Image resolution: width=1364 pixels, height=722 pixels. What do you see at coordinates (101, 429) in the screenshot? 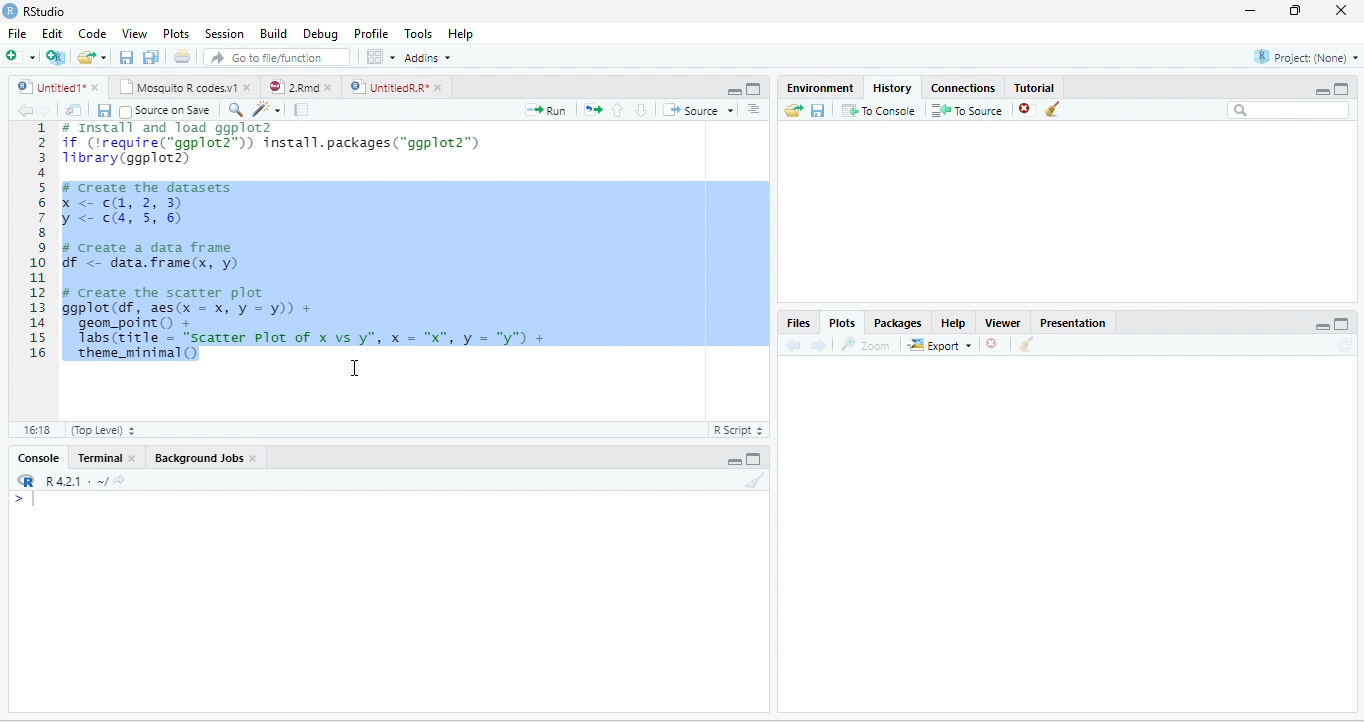
I see `(Top Level)` at bounding box center [101, 429].